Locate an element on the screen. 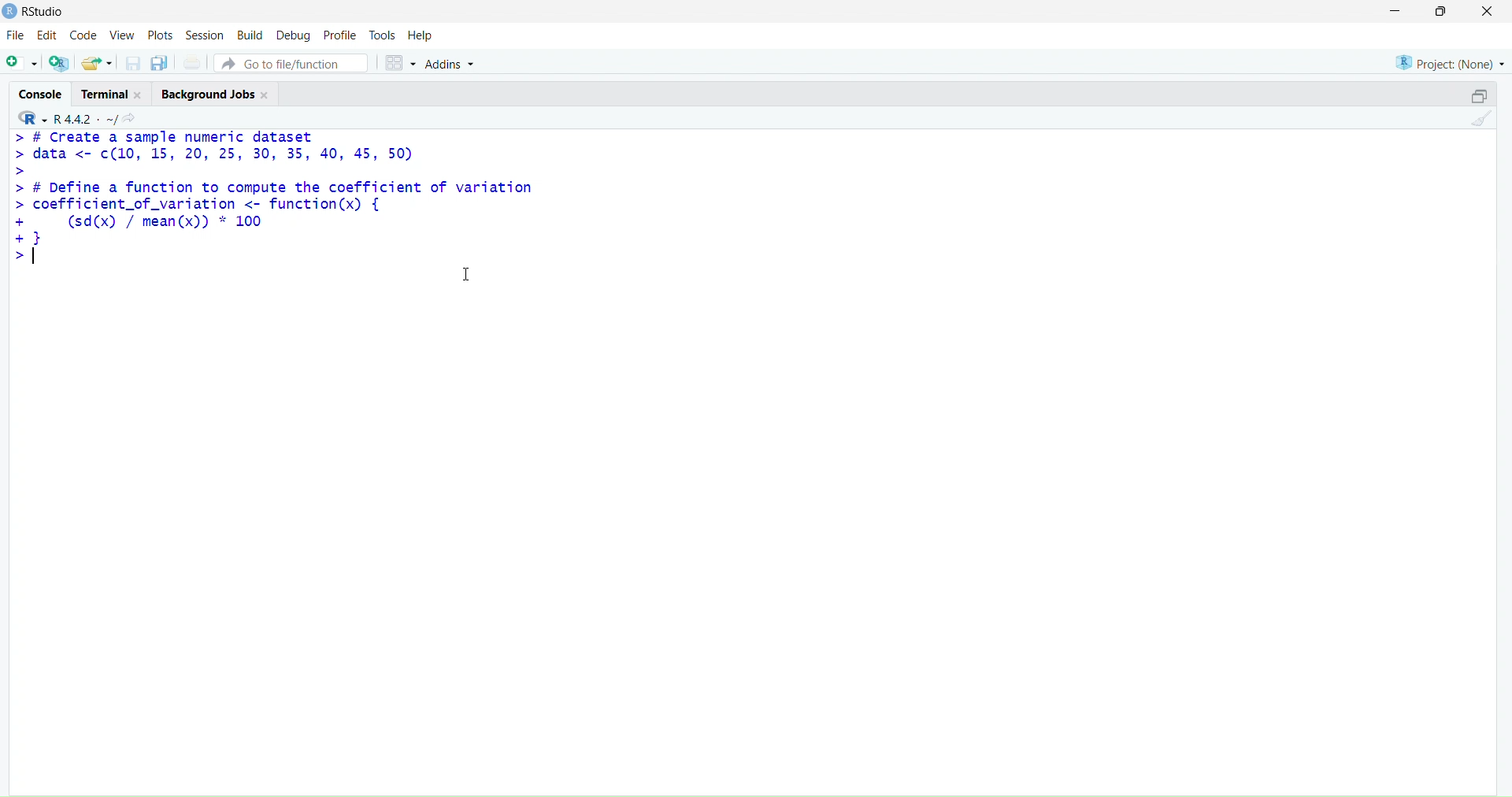  terminal is located at coordinates (106, 95).